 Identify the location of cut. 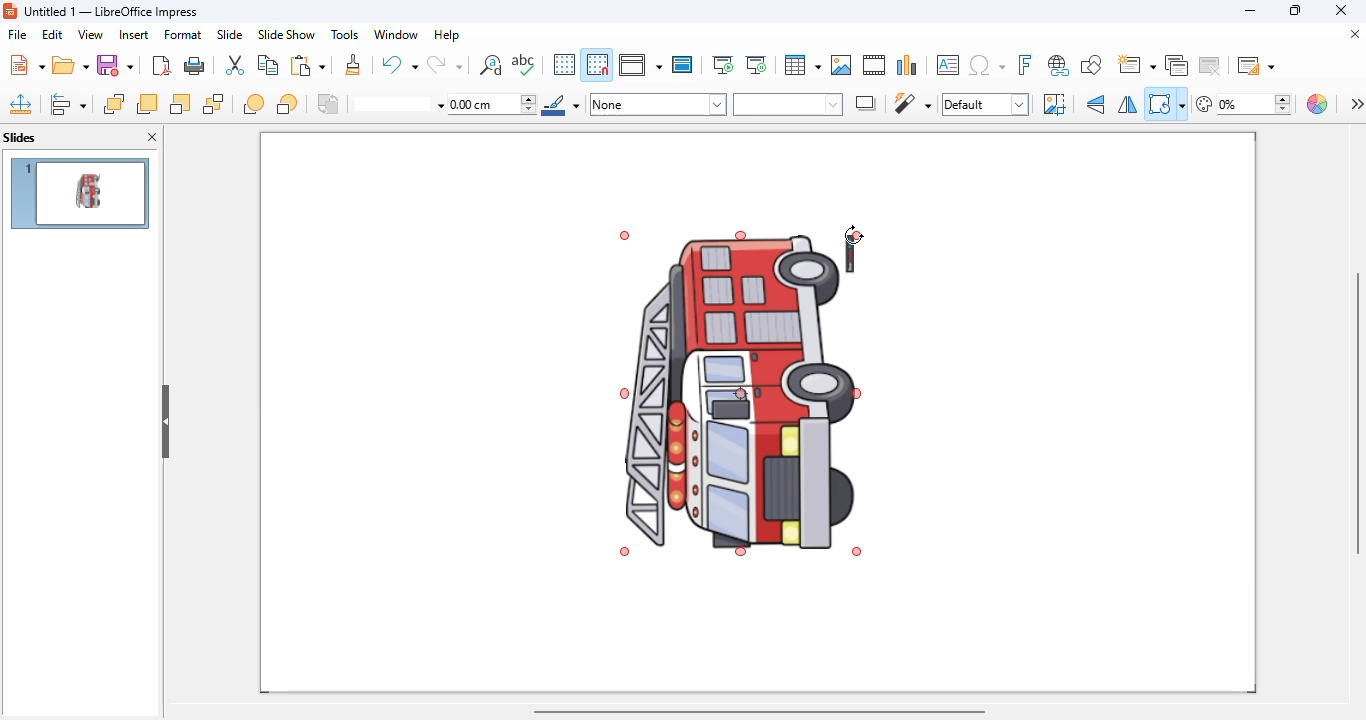
(235, 65).